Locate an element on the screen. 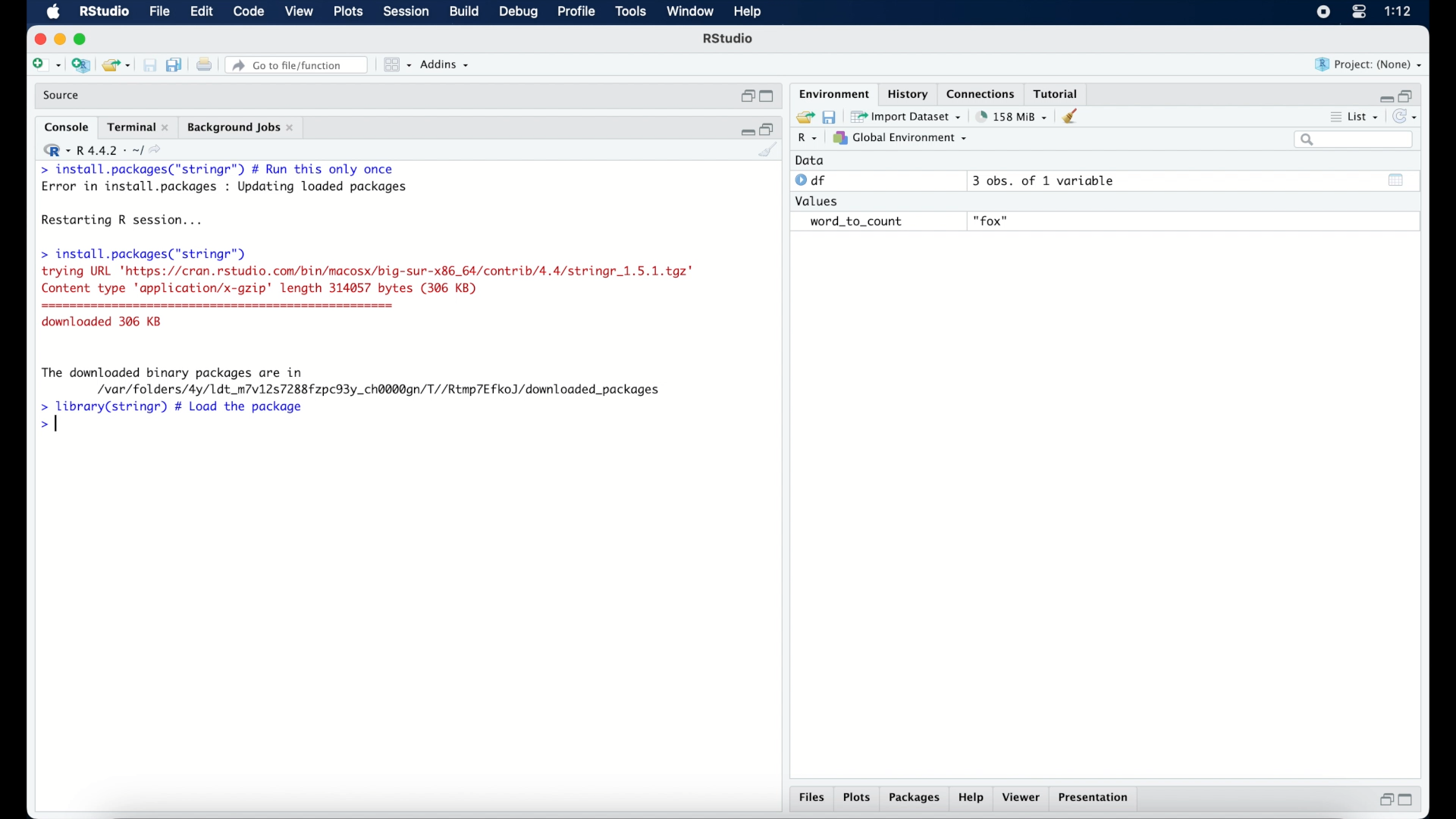  terminal is located at coordinates (138, 127).